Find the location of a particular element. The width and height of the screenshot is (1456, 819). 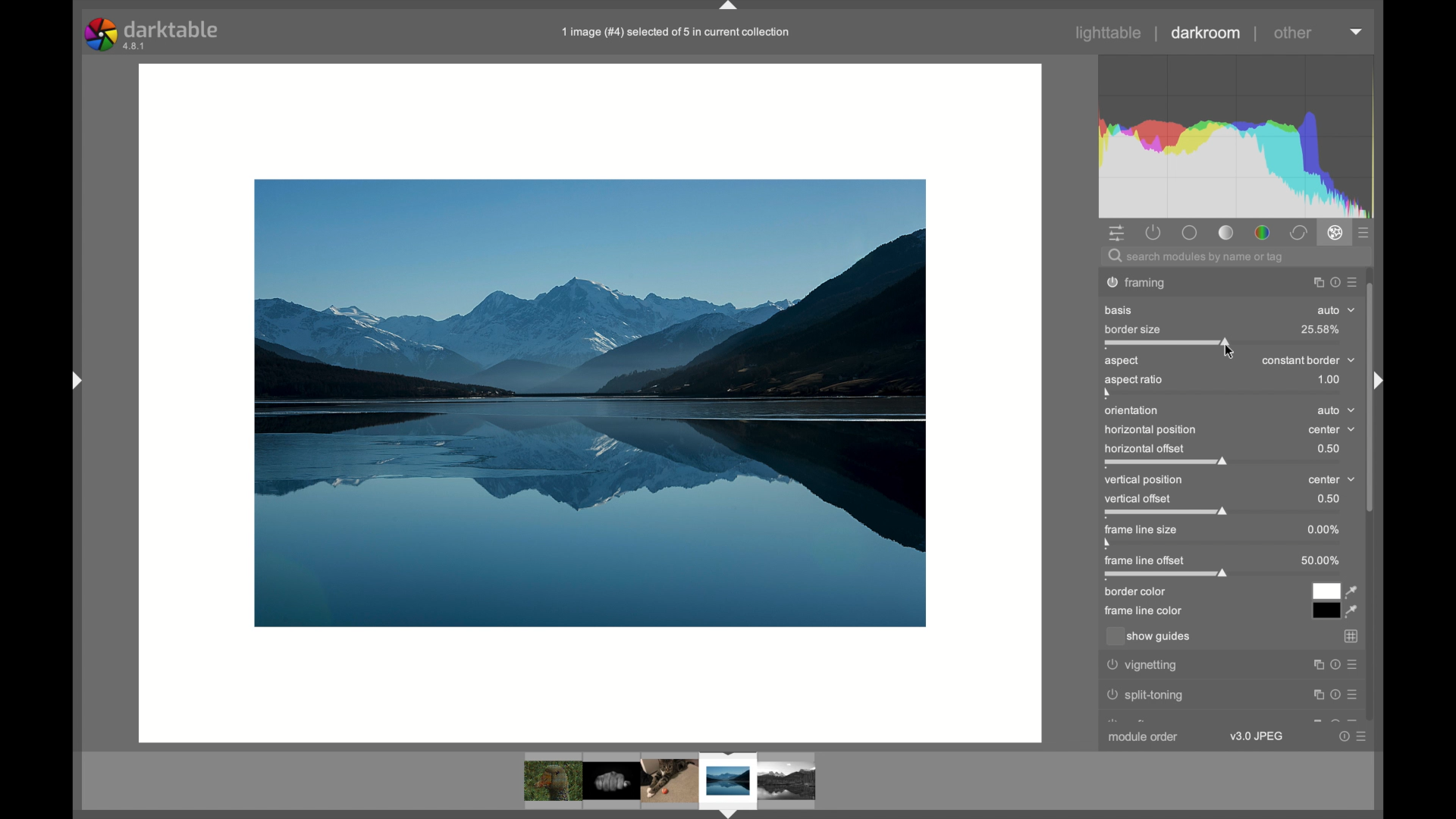

histogram is located at coordinates (1237, 135).